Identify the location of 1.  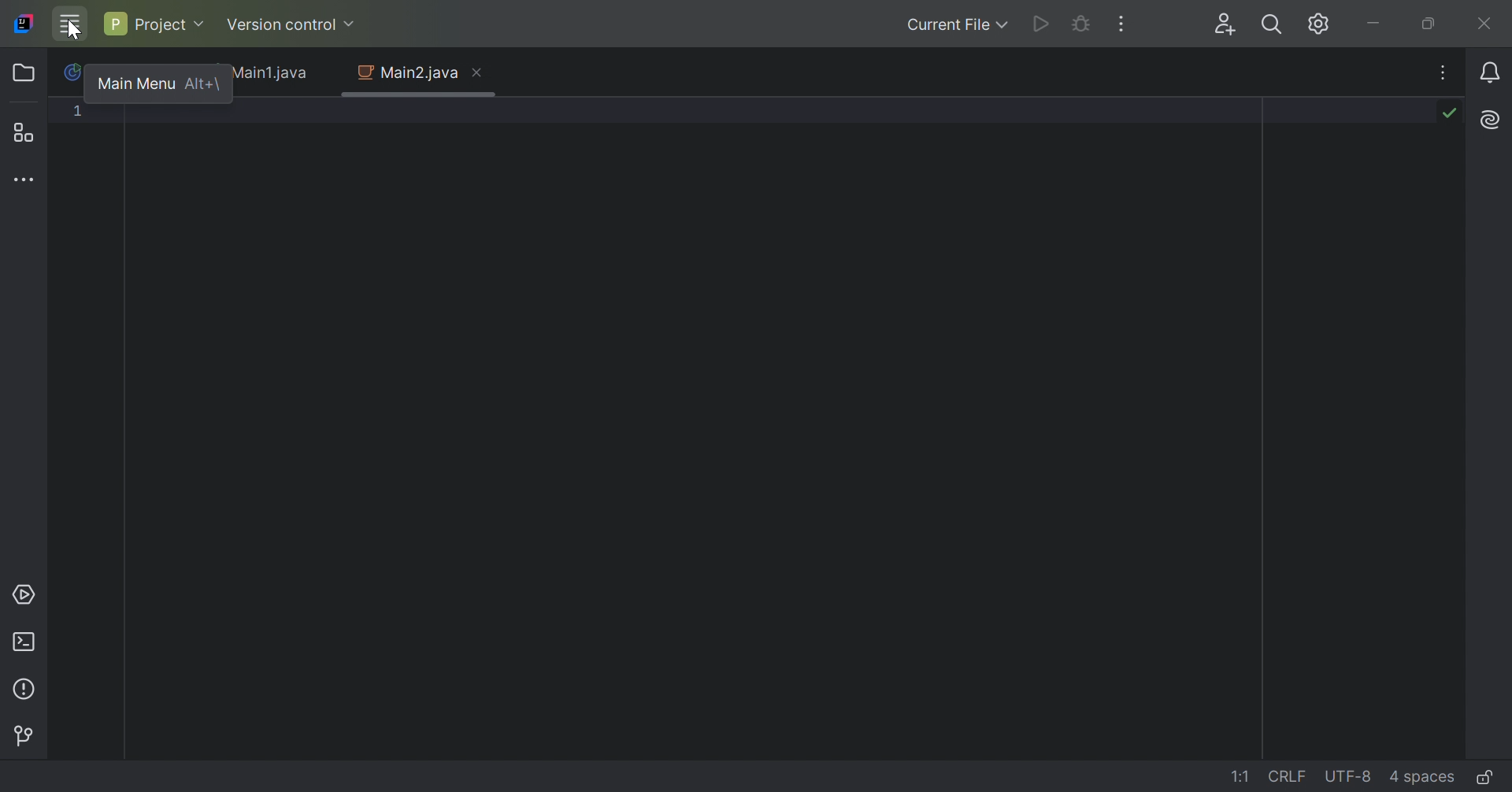
(80, 114).